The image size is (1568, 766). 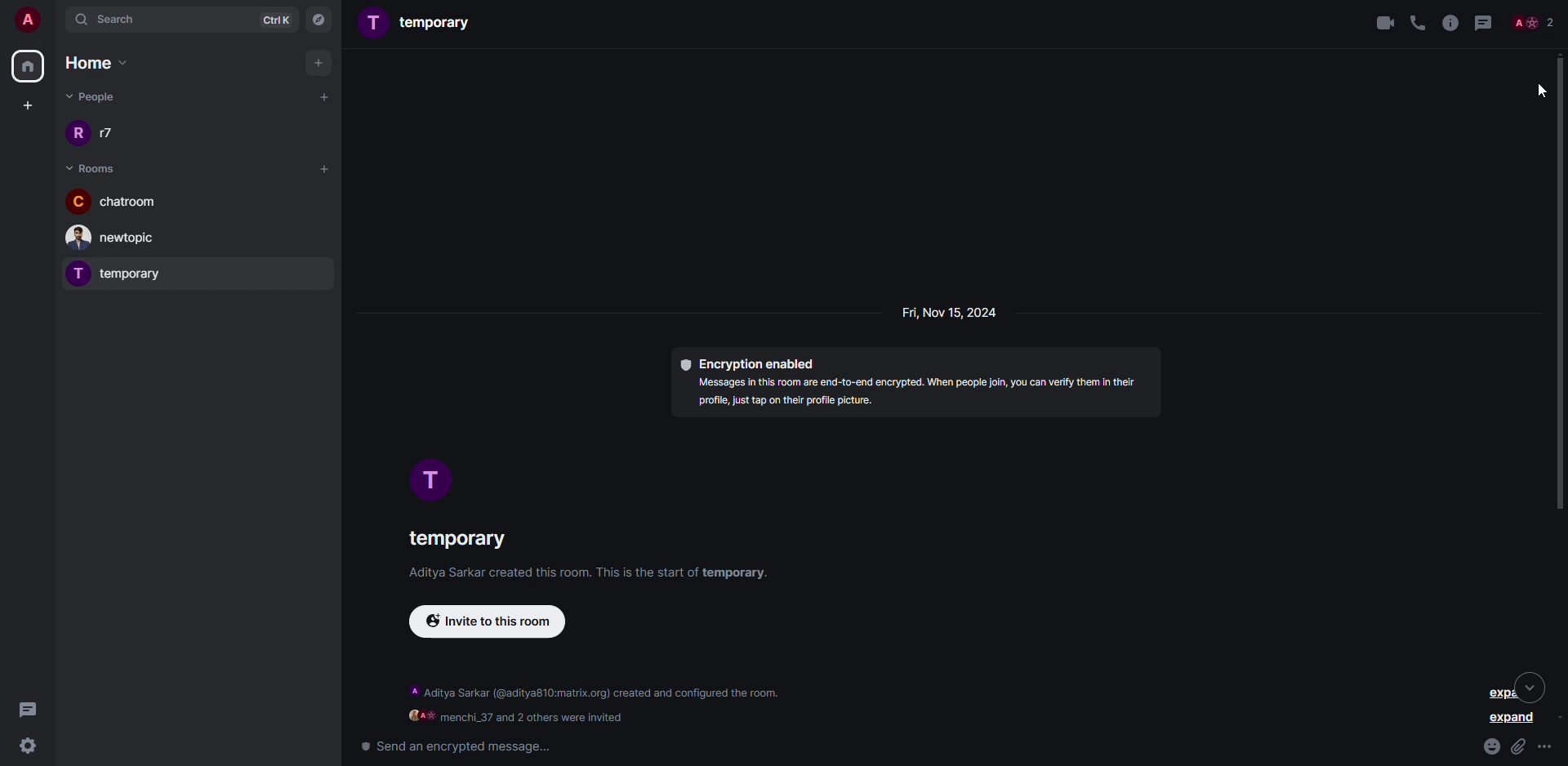 I want to click on add, so click(x=324, y=96).